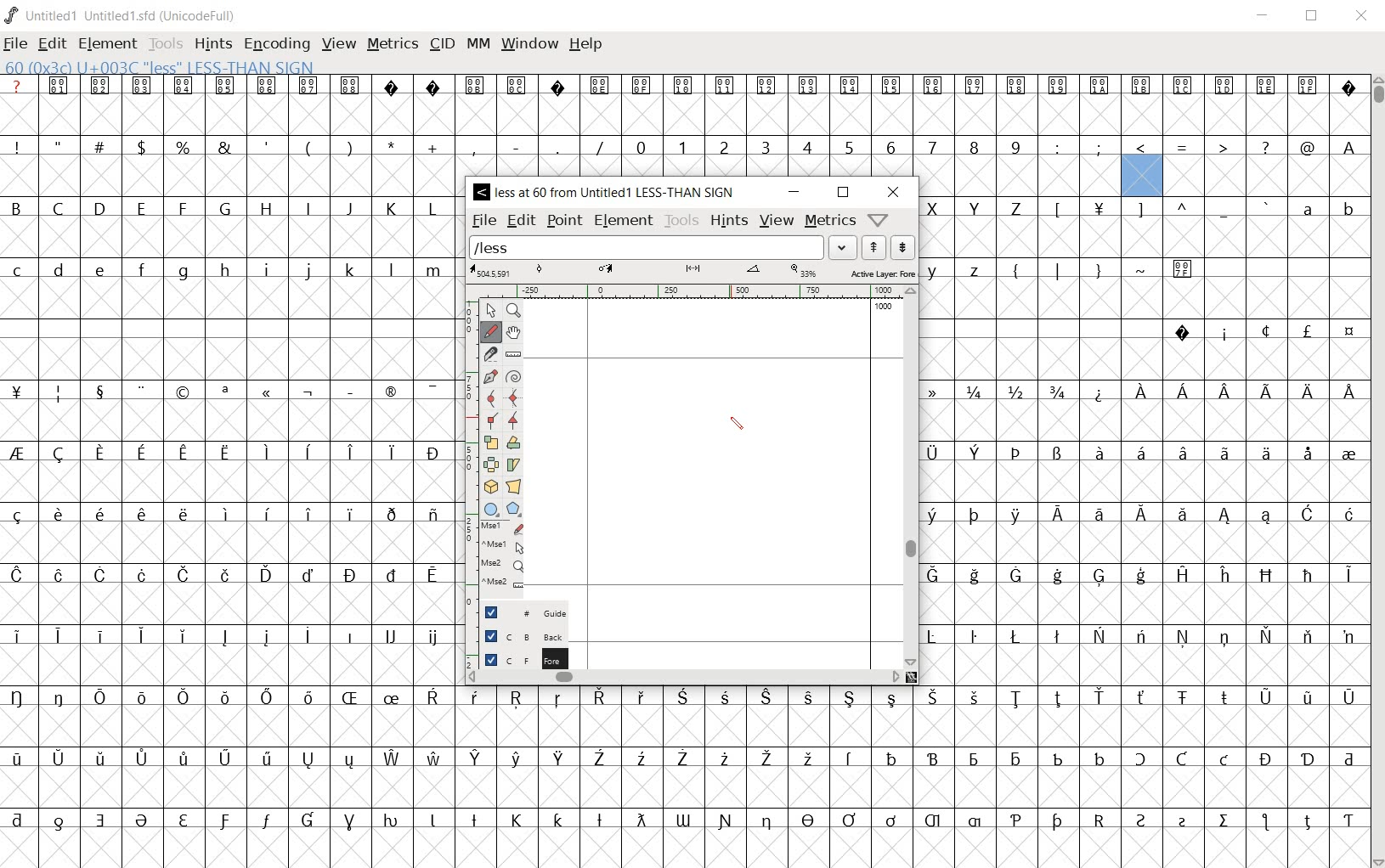 The image size is (1385, 868). What do you see at coordinates (512, 397) in the screenshot?
I see `add a curve point always either horizontal or vertical` at bounding box center [512, 397].